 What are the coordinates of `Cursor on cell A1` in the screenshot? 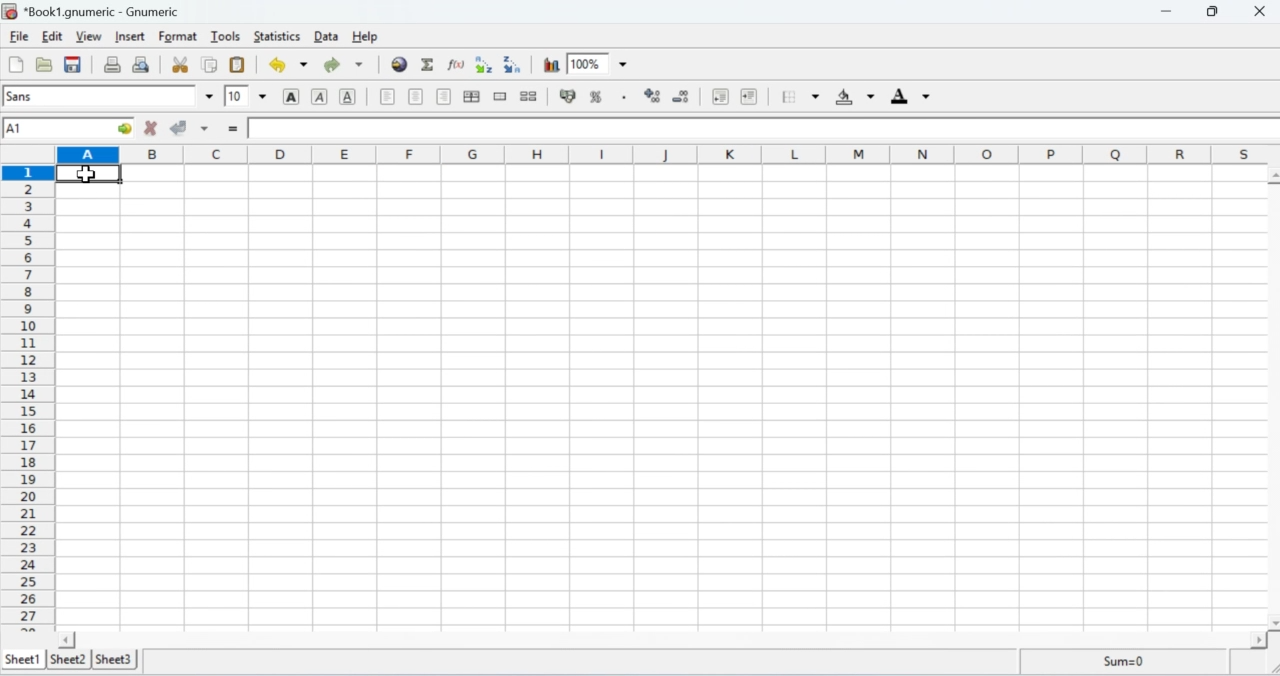 It's located at (90, 187).